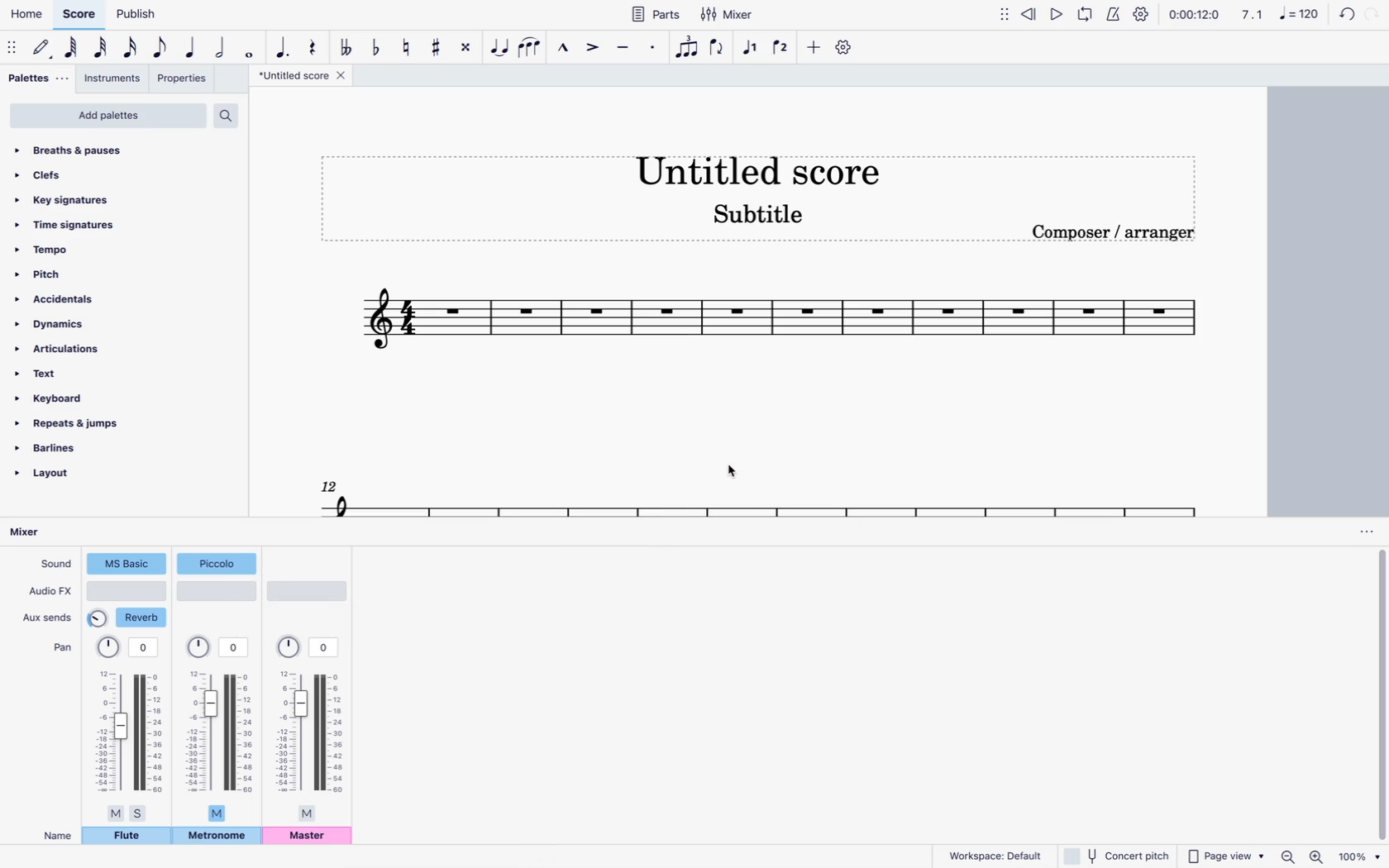 This screenshot has height=868, width=1389. What do you see at coordinates (438, 50) in the screenshot?
I see `toggle sharp` at bounding box center [438, 50].